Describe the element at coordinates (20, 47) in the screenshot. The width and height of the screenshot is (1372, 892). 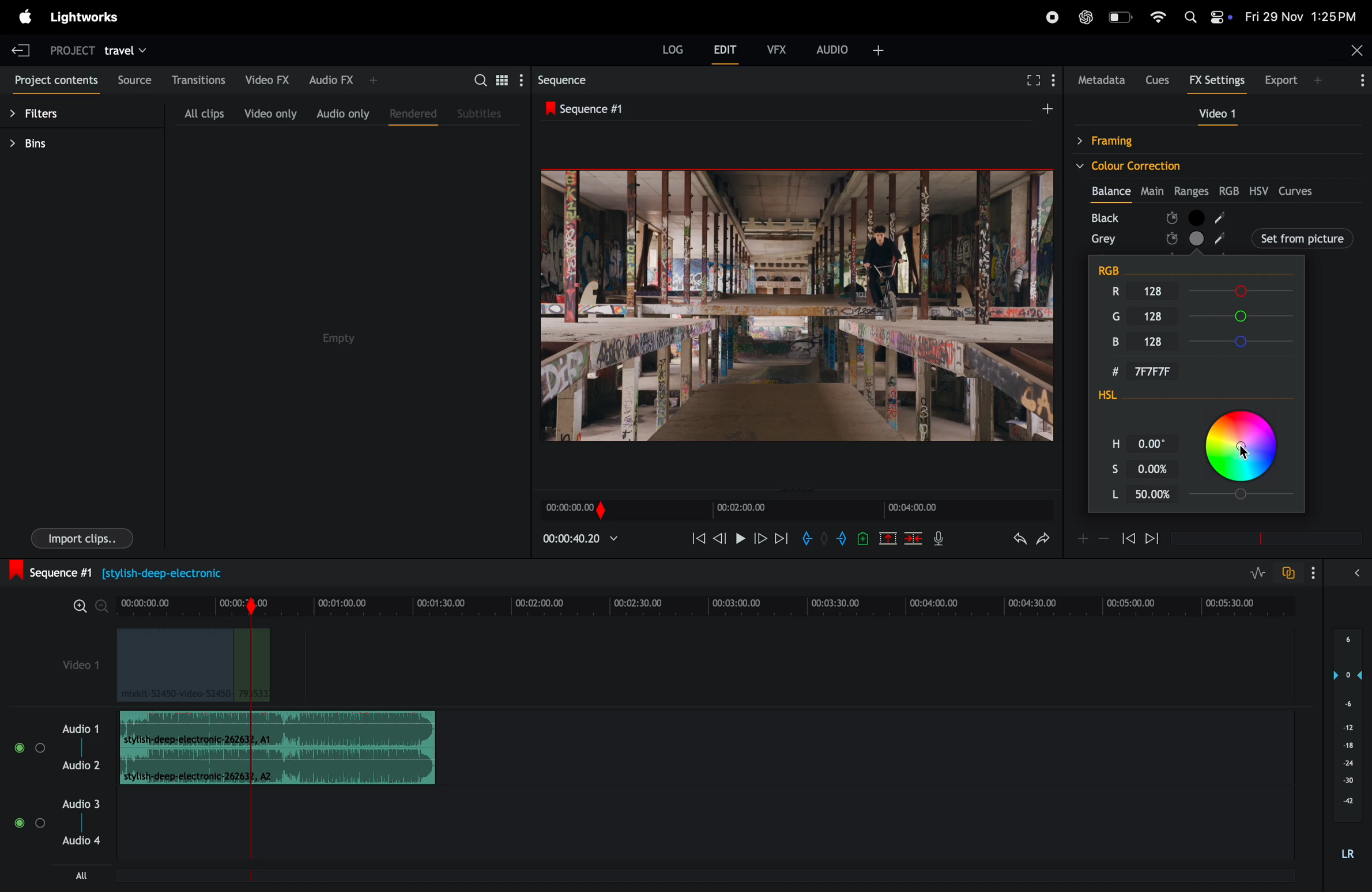
I see `exit` at that location.